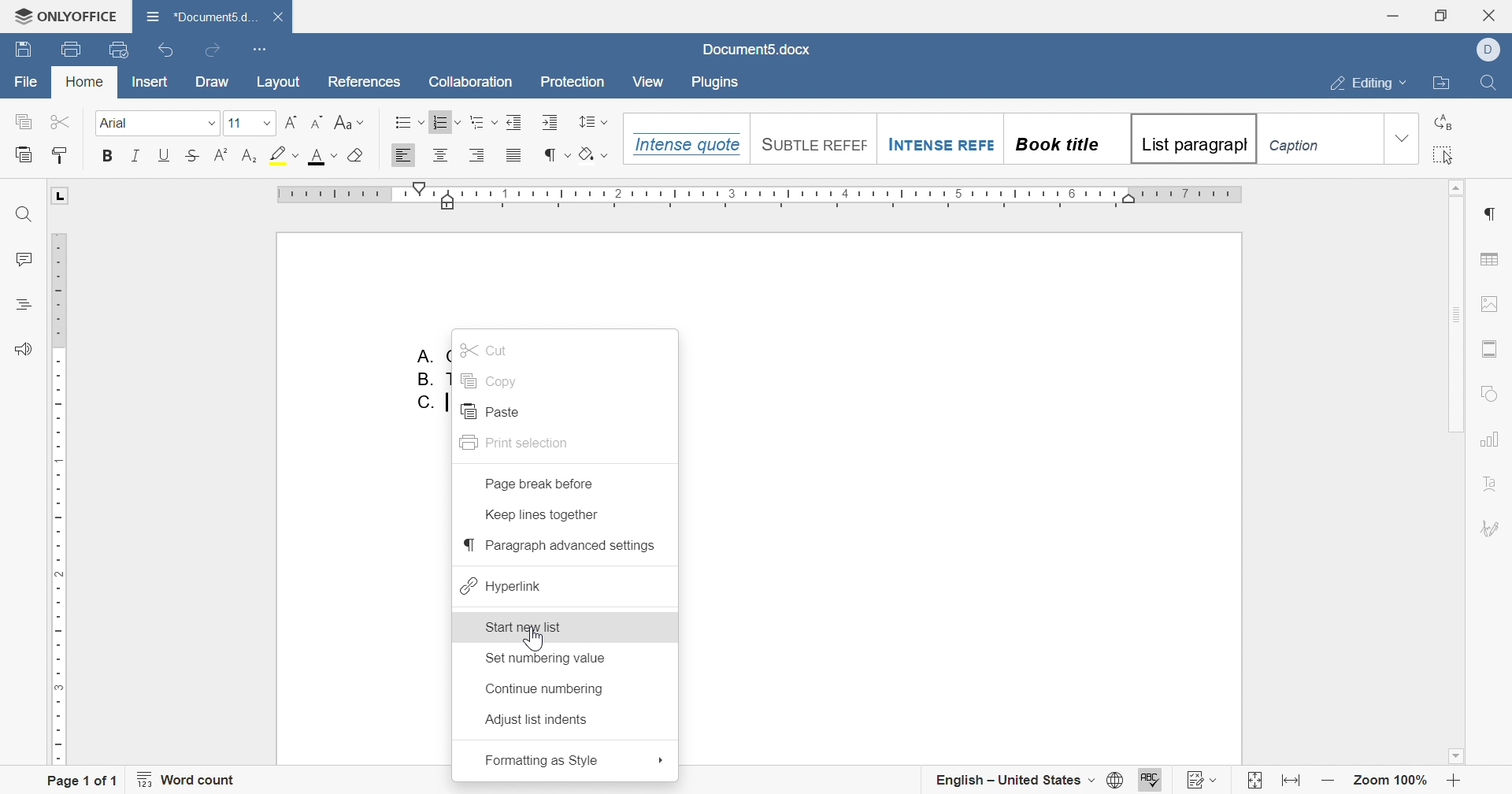  I want to click on shape settings, so click(1487, 392).